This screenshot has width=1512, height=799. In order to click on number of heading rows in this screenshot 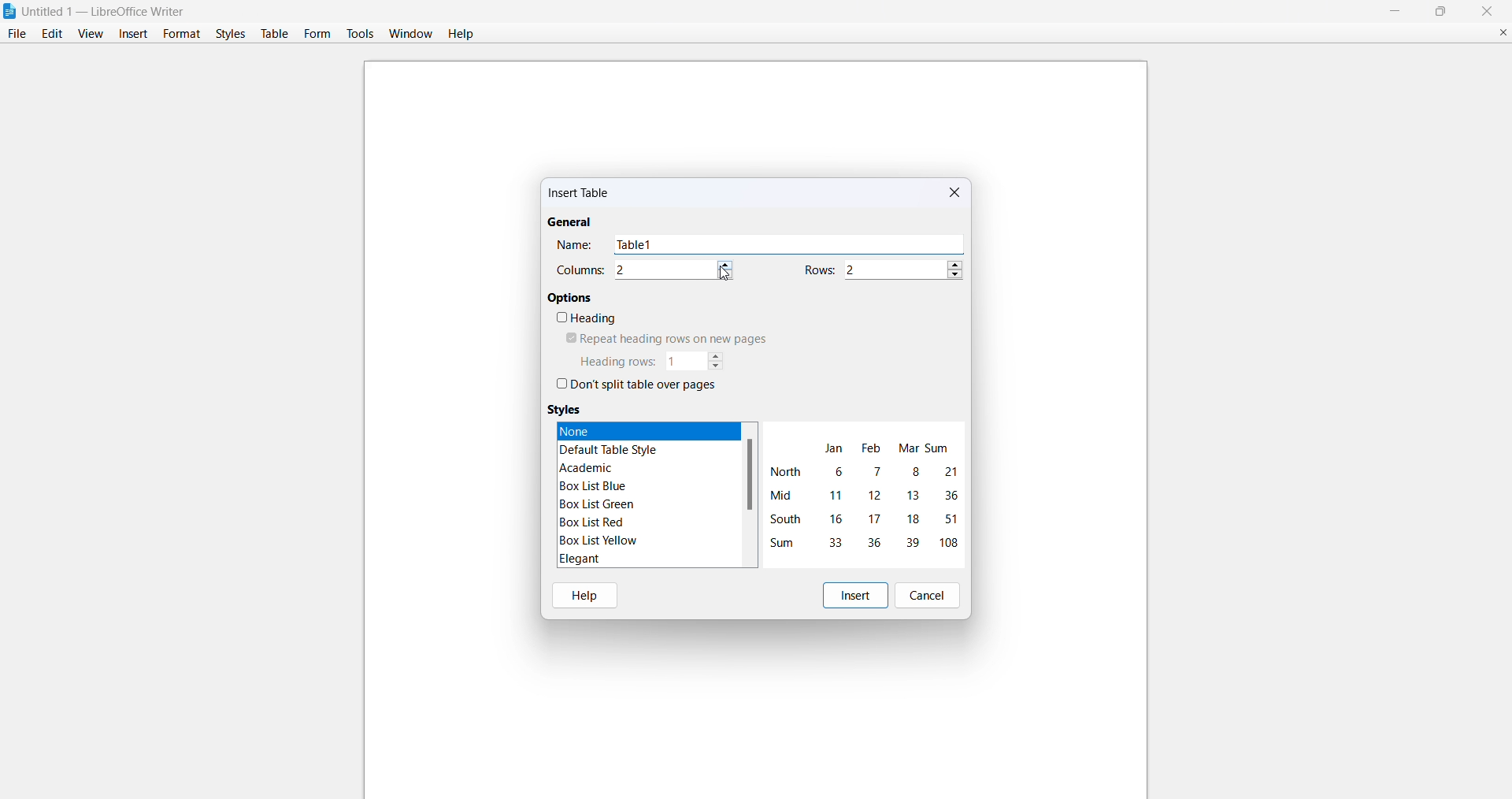, I will do `click(684, 361)`.